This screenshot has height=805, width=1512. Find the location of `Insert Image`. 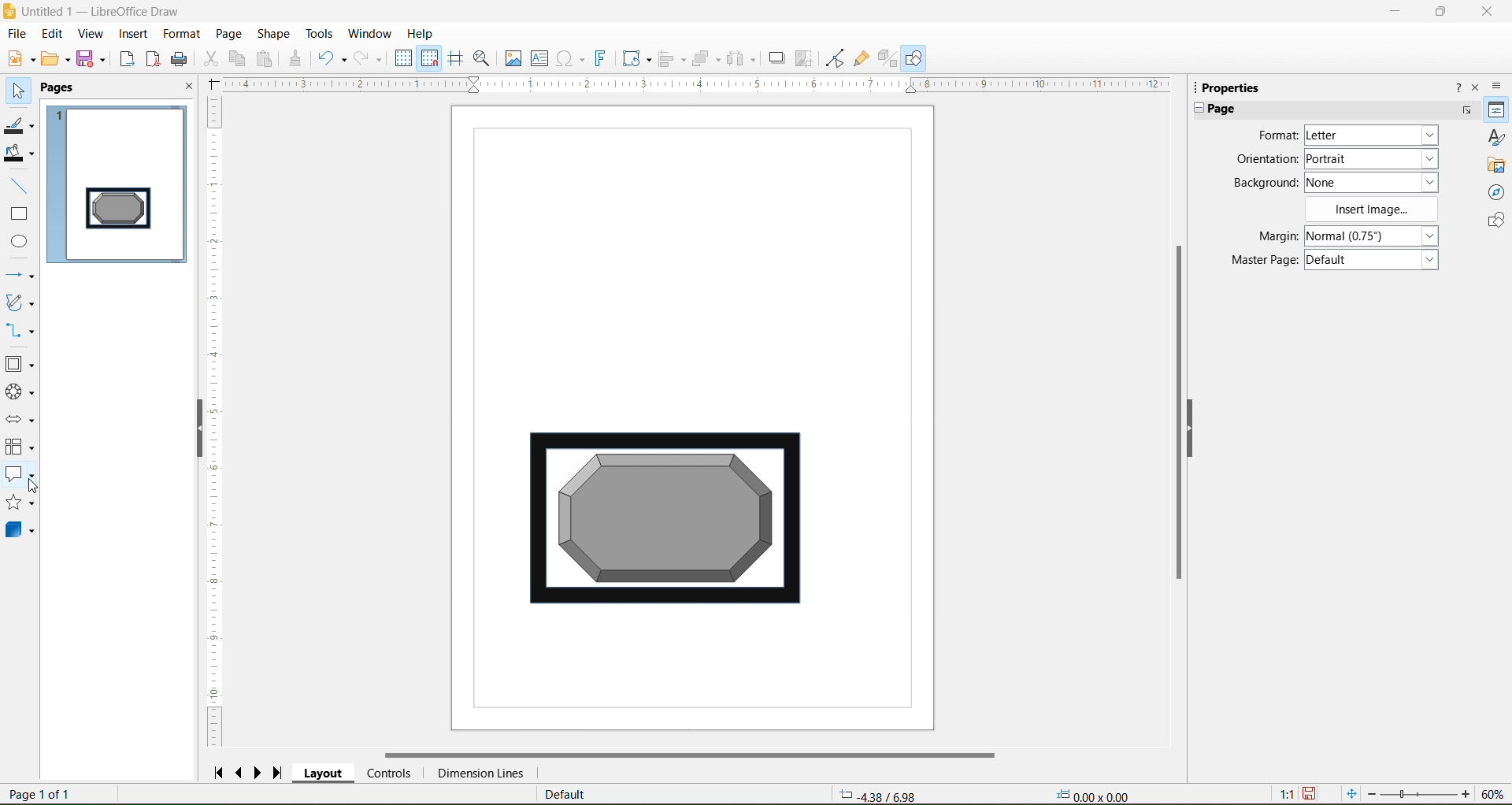

Insert Image is located at coordinates (511, 58).